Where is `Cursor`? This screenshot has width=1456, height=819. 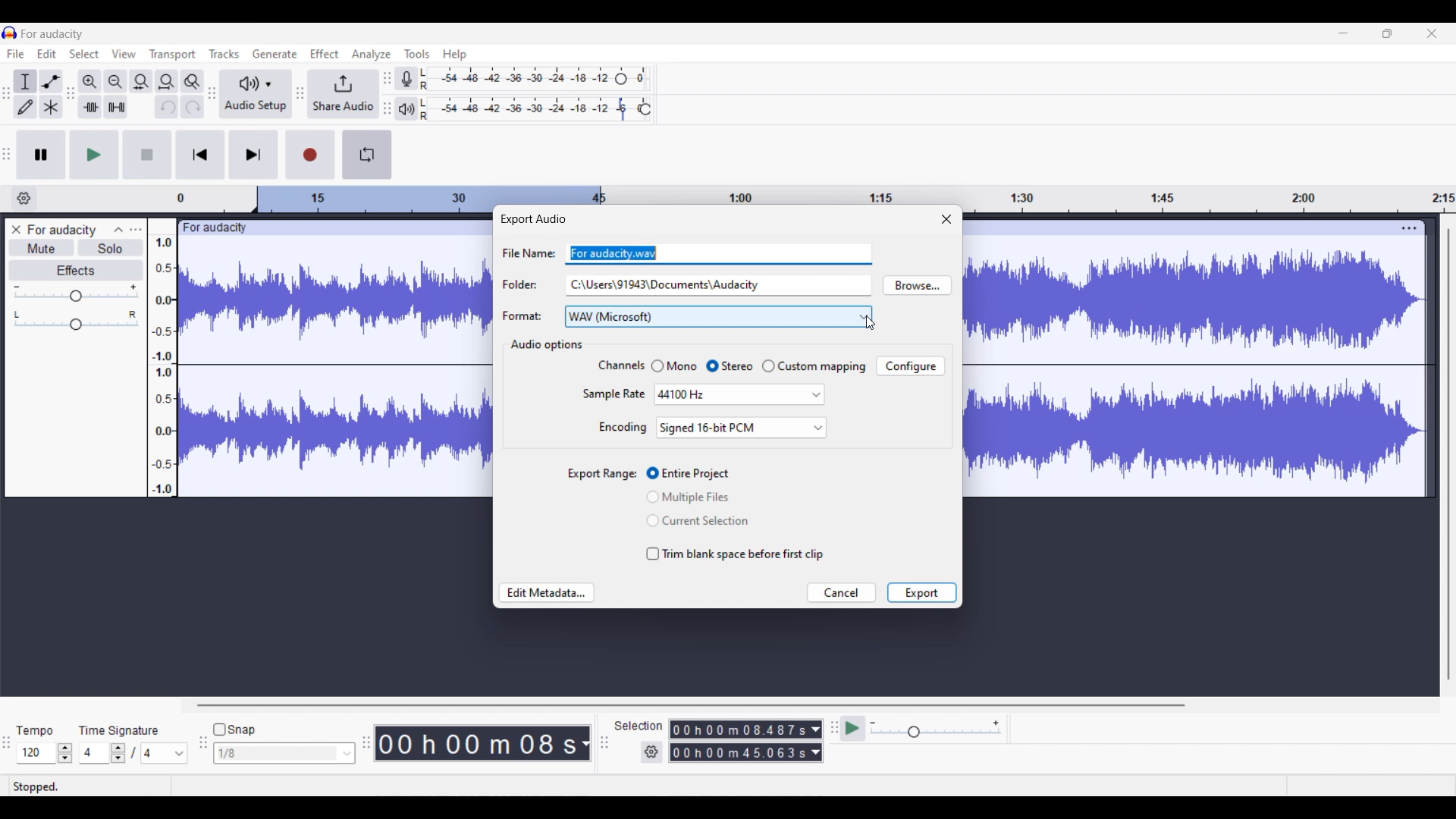 Cursor is located at coordinates (871, 322).